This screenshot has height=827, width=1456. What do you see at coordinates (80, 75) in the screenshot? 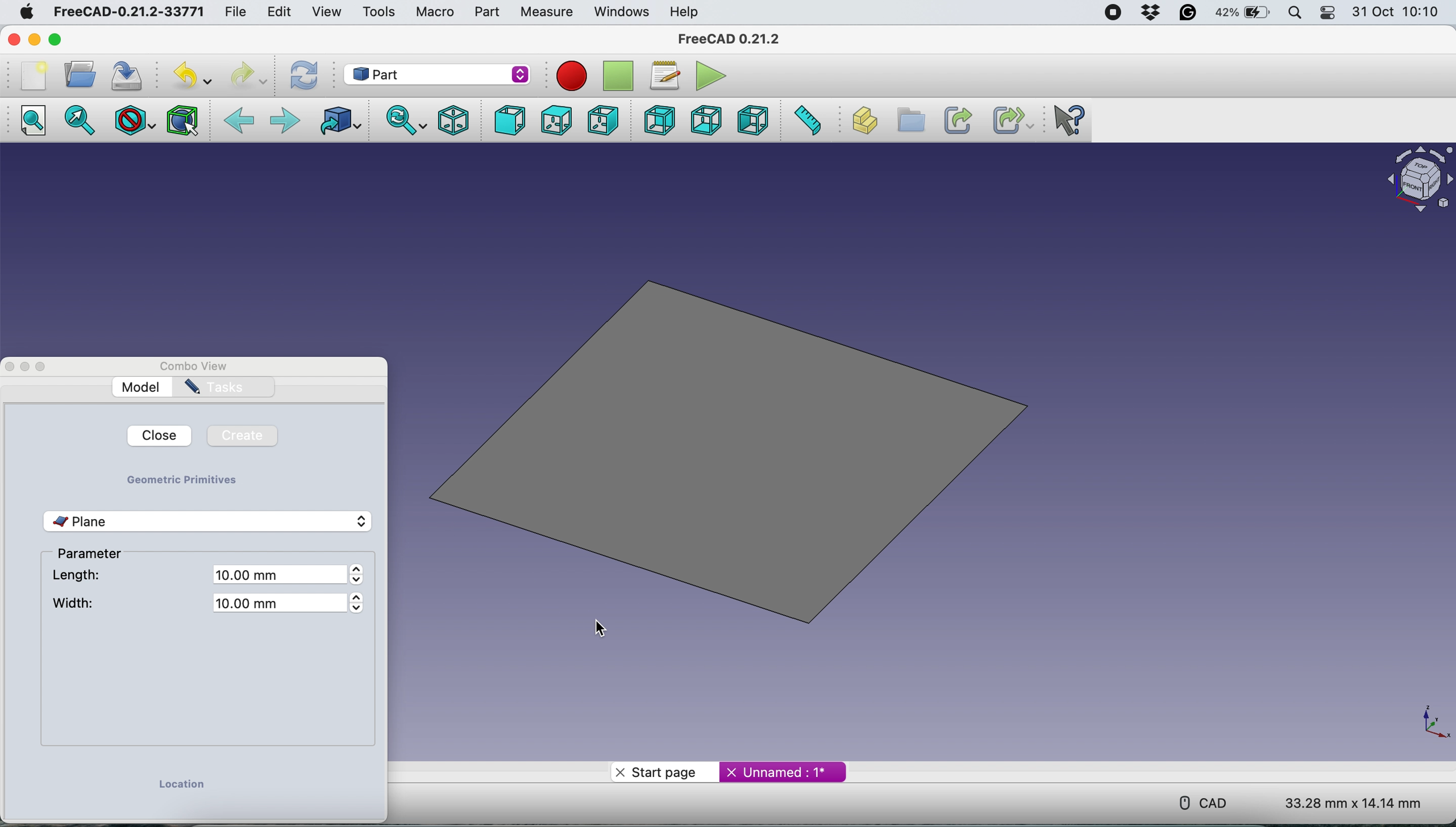
I see `Open` at bounding box center [80, 75].